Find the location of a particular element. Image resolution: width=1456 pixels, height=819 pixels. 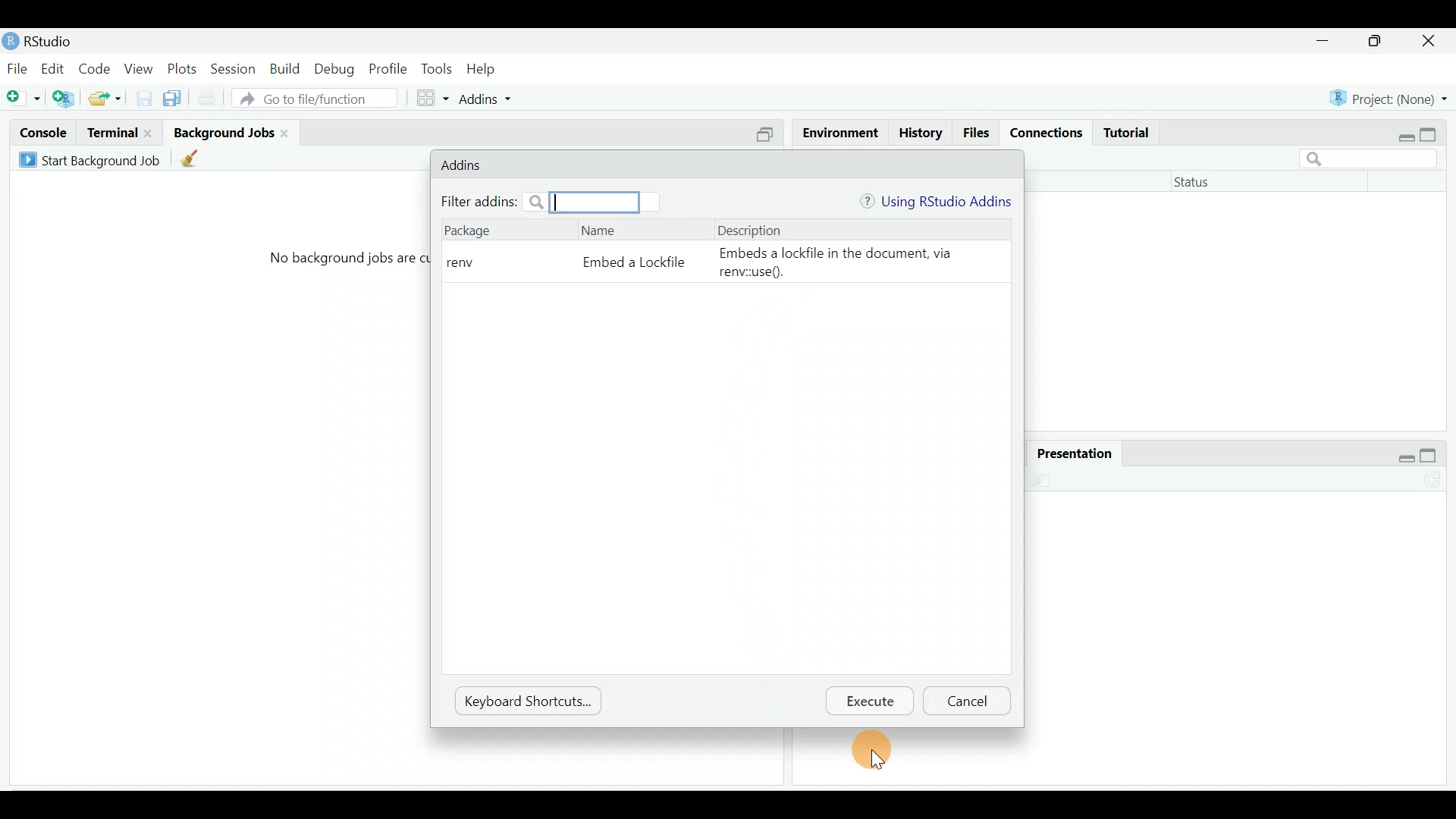

Refresh the presentation view is located at coordinates (1435, 478).